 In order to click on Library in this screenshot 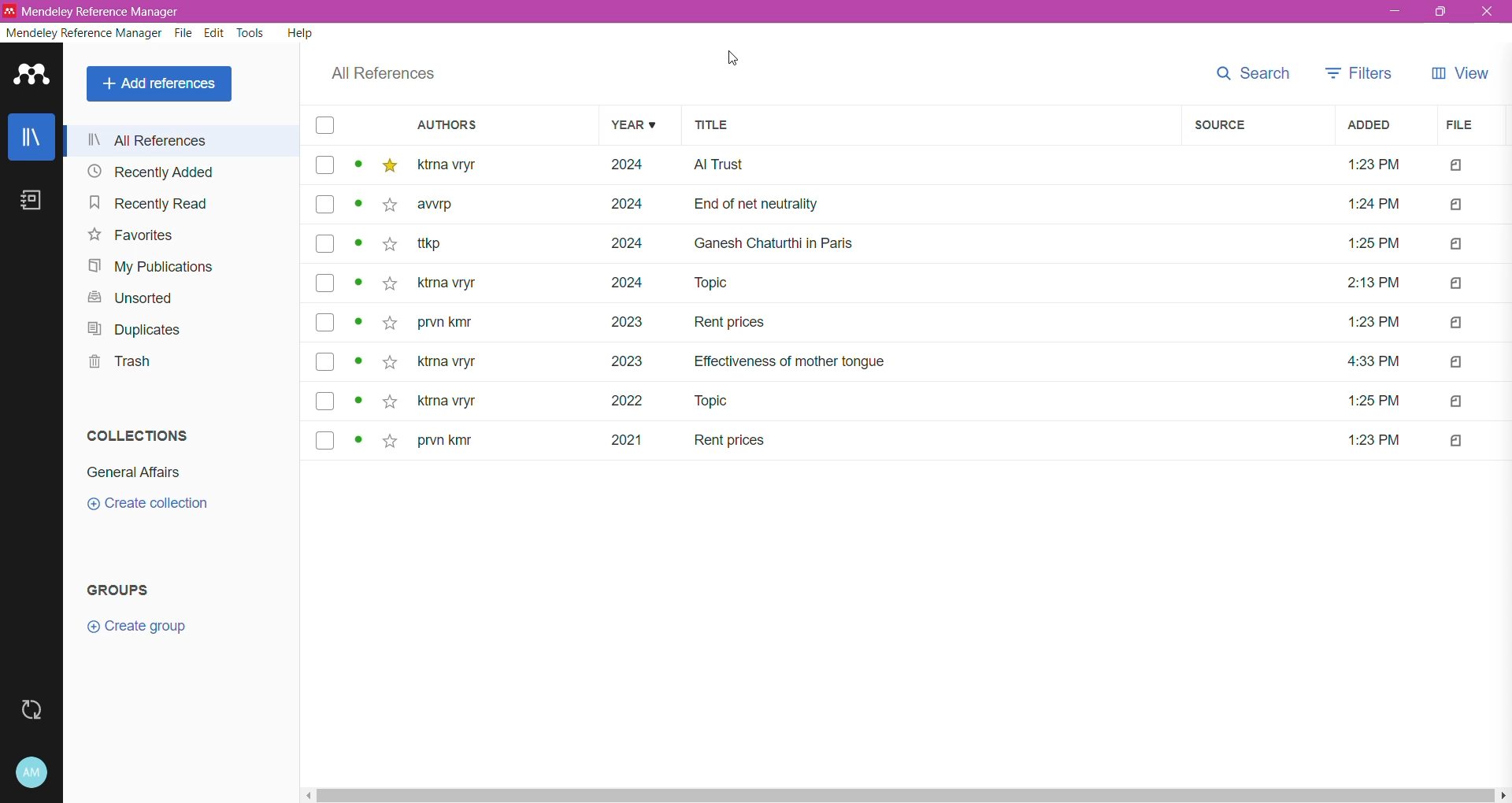, I will do `click(32, 139)`.